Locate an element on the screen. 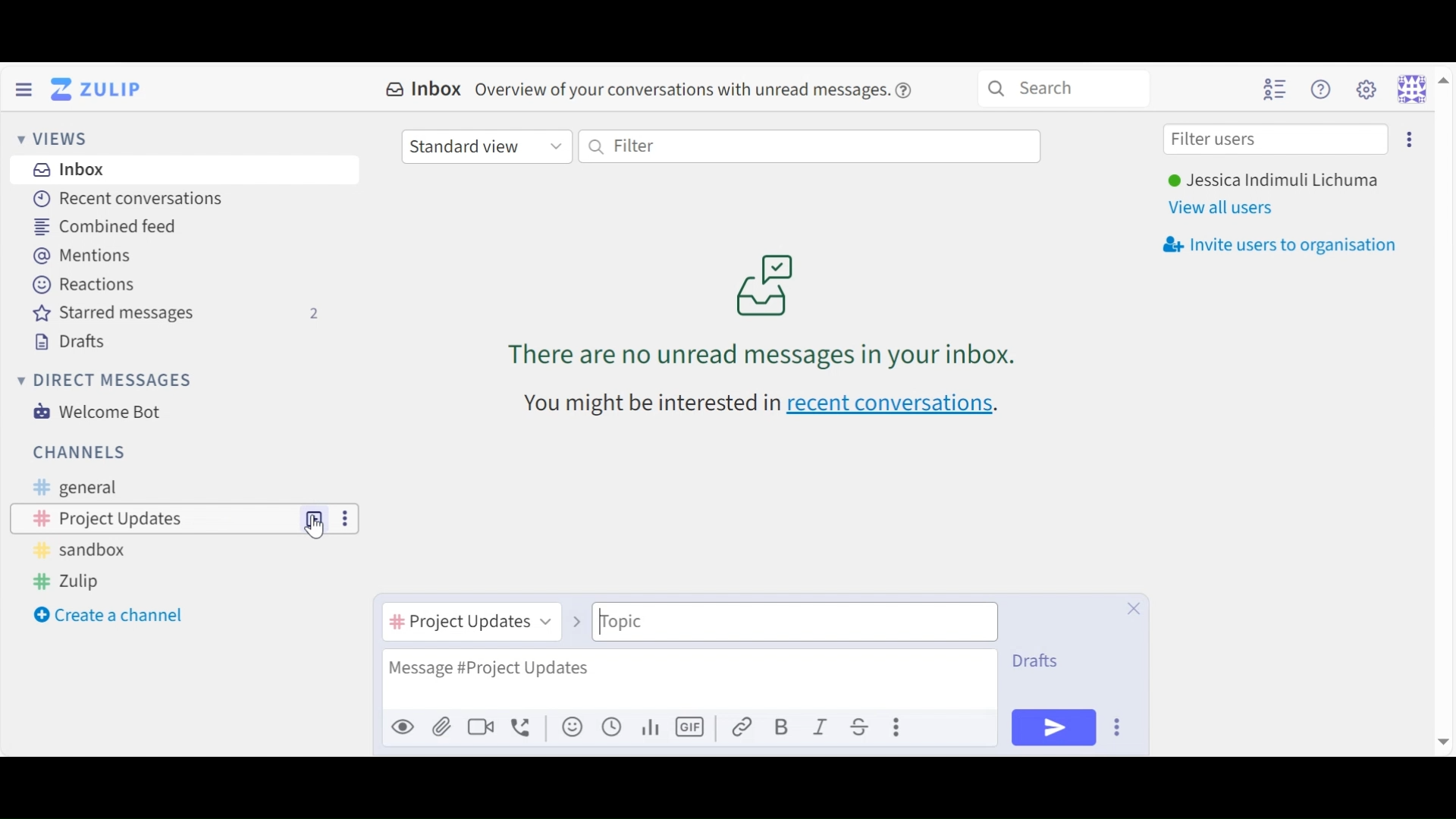 The image size is (1456, 819). Add voice call is located at coordinates (522, 727).